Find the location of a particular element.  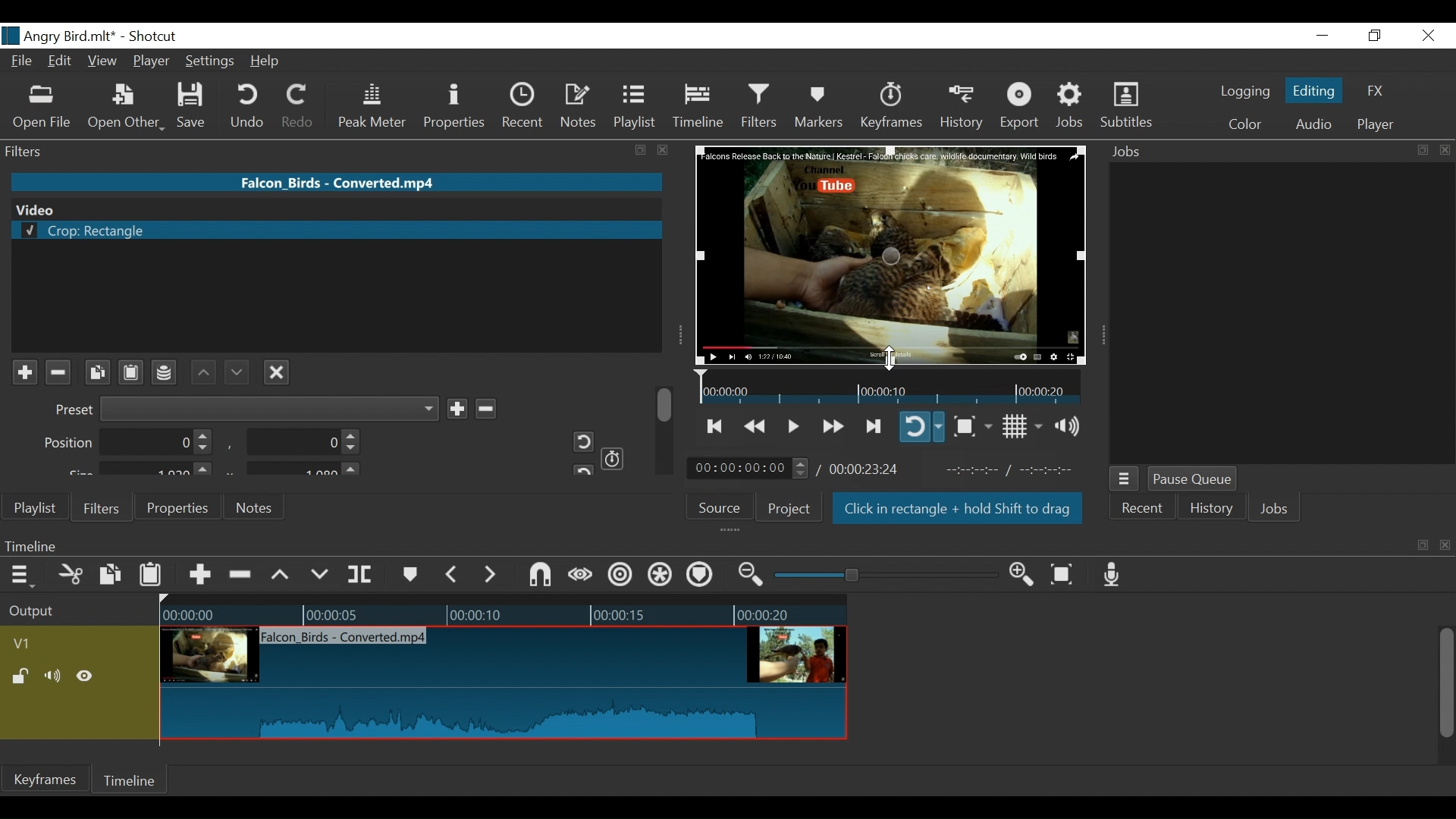

Jobs is located at coordinates (1131, 152).